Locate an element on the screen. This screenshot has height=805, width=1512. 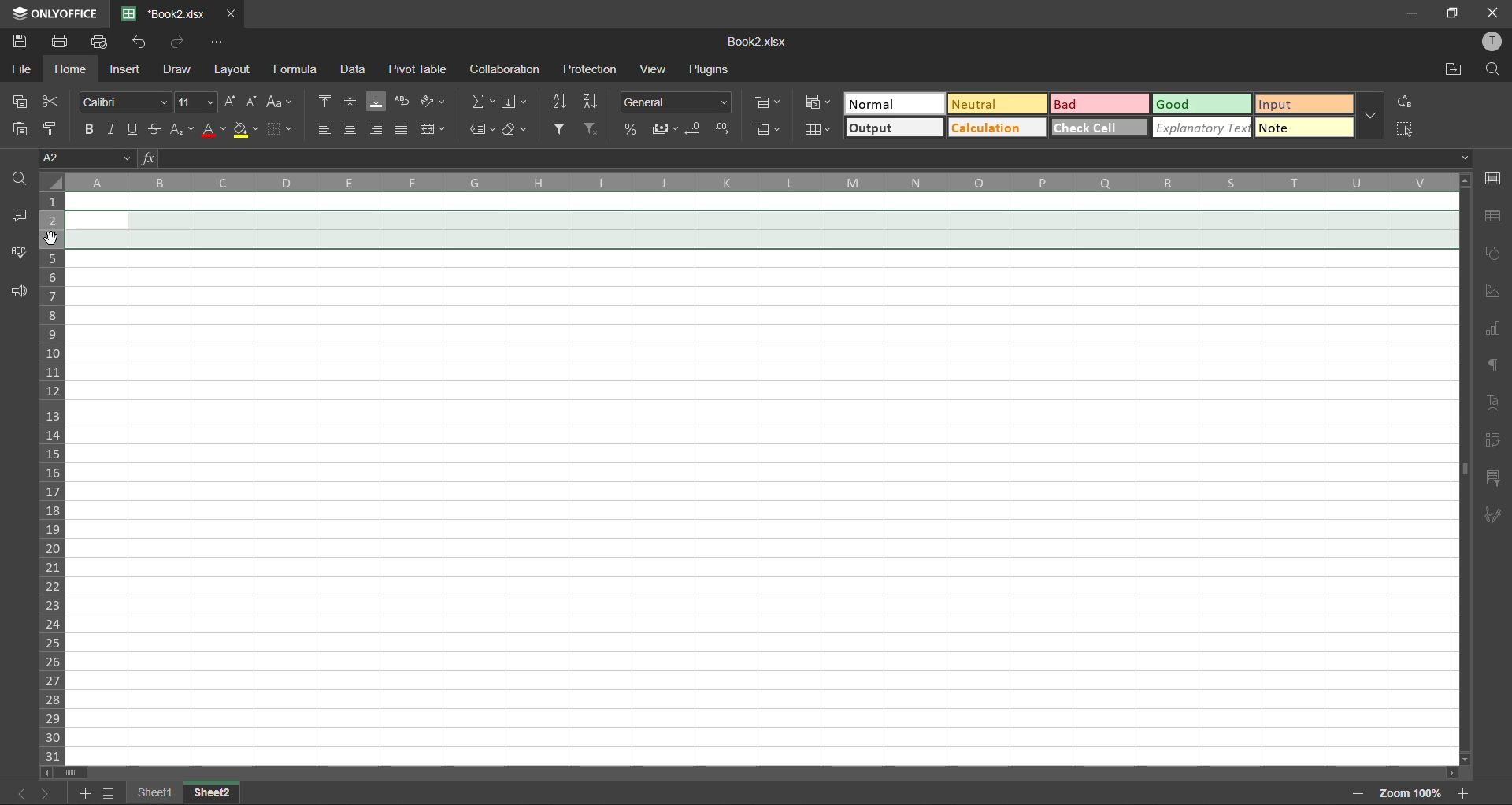
named ranges is located at coordinates (476, 129).